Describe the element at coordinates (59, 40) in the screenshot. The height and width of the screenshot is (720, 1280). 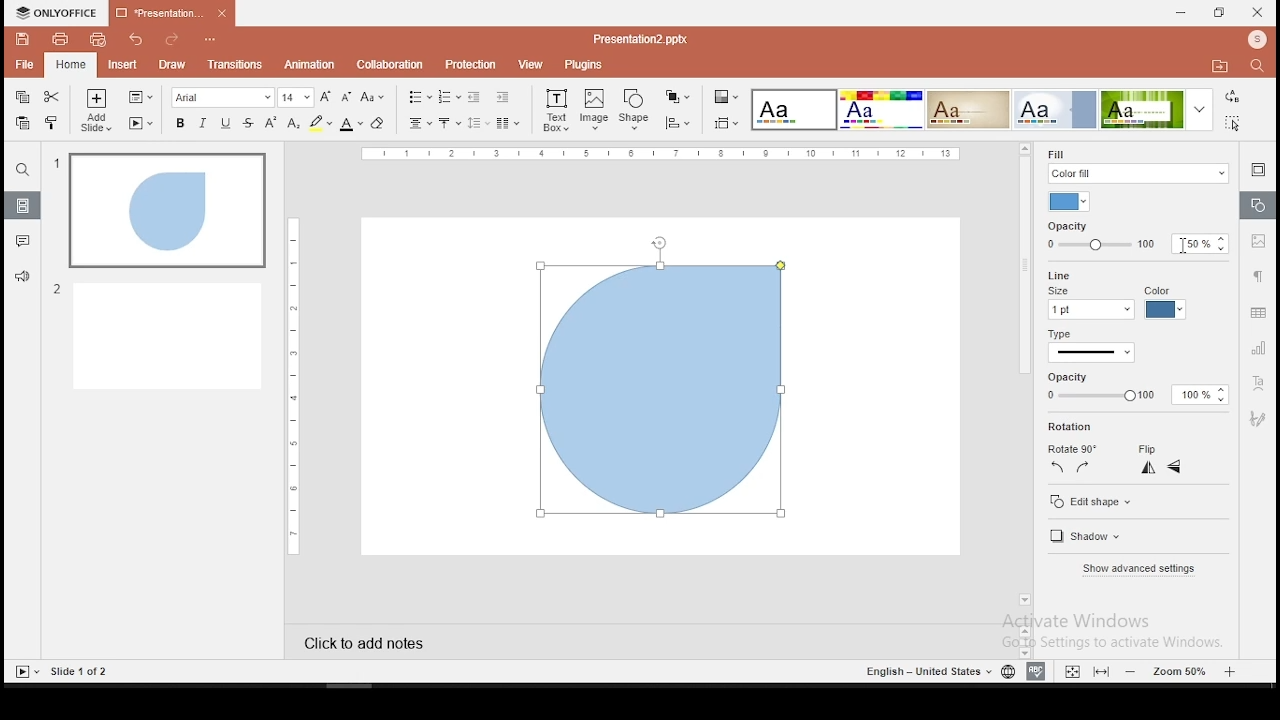
I see `print file` at that location.